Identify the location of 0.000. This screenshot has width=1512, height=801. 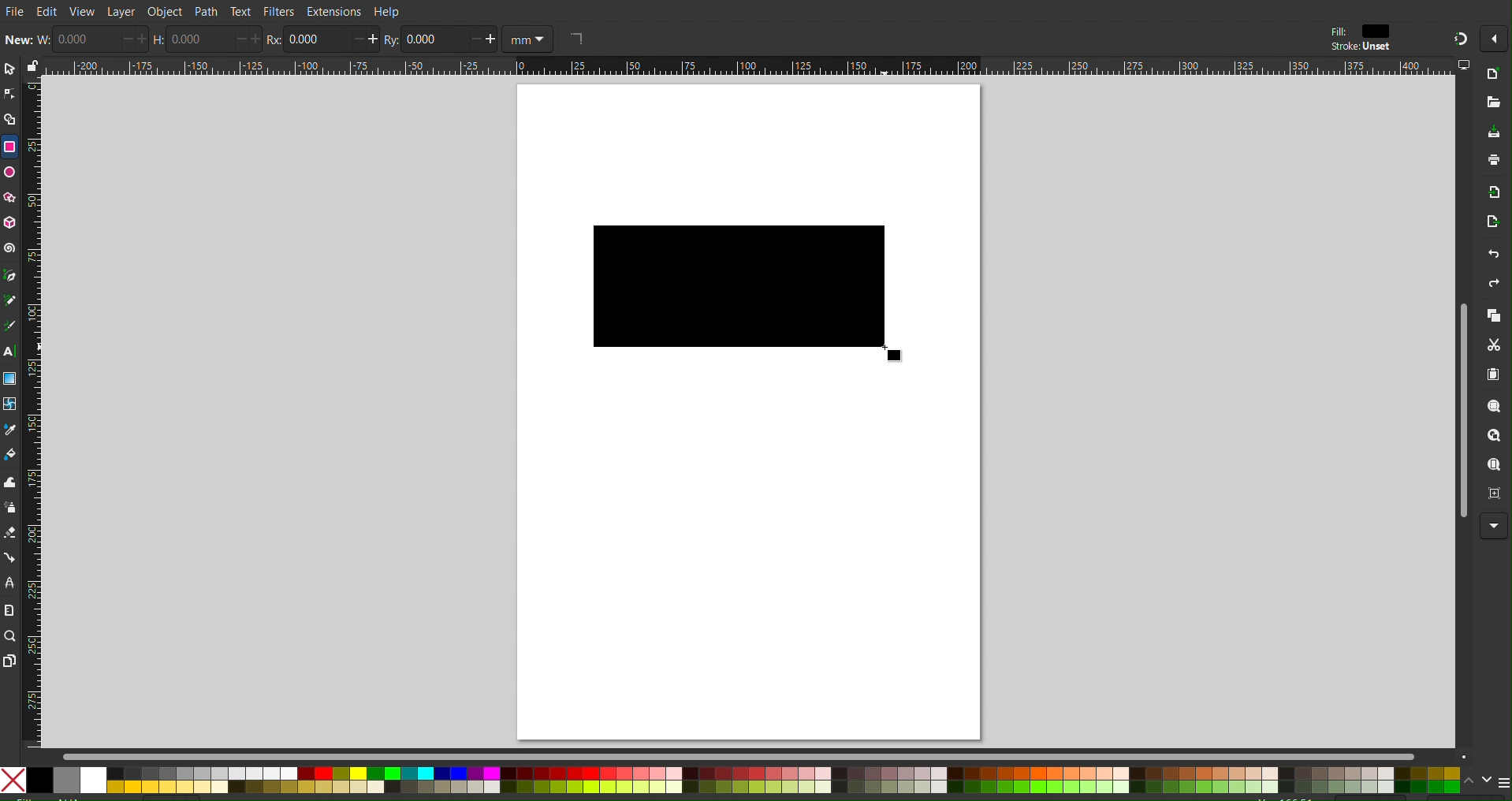
(88, 39).